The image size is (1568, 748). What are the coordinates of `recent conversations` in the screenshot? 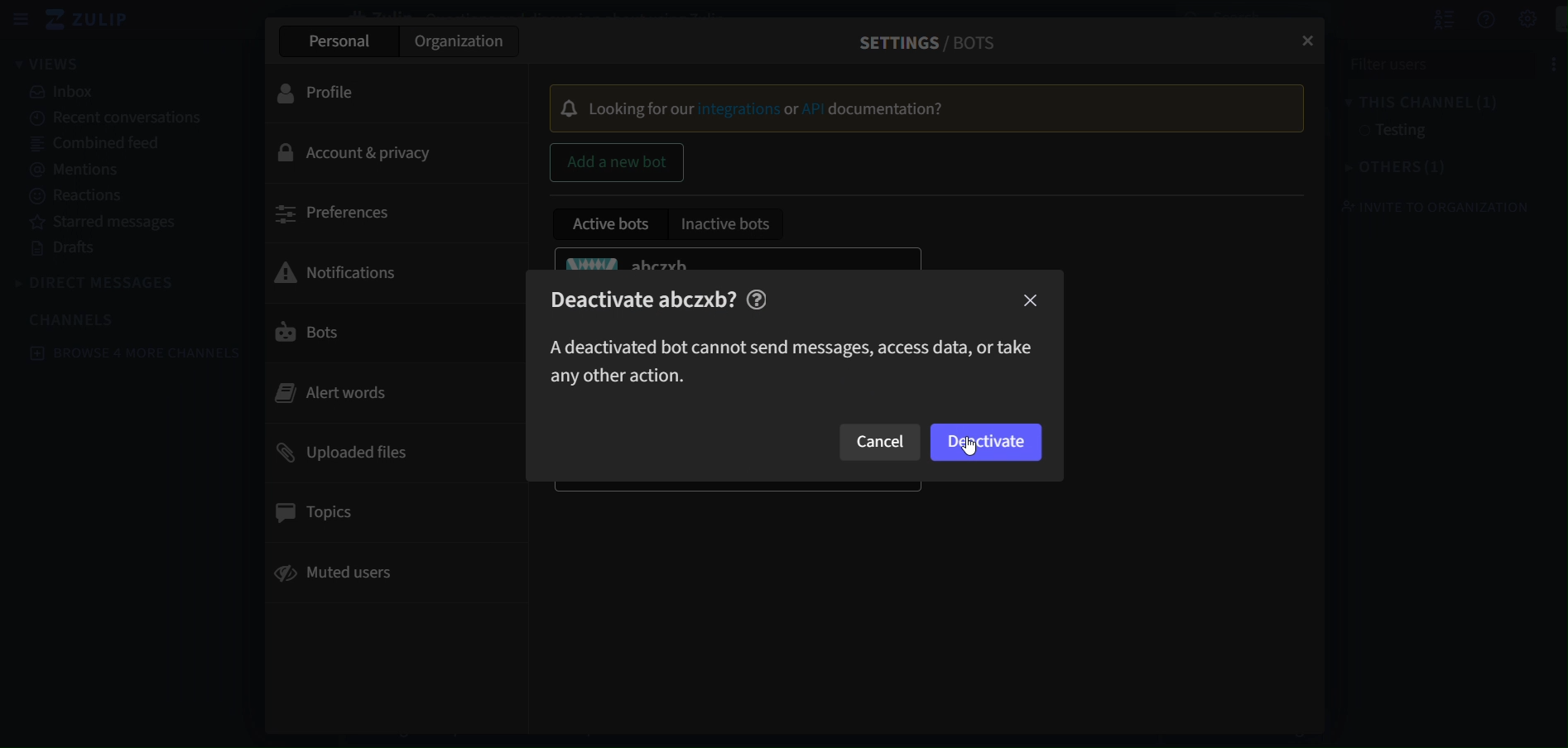 It's located at (118, 119).